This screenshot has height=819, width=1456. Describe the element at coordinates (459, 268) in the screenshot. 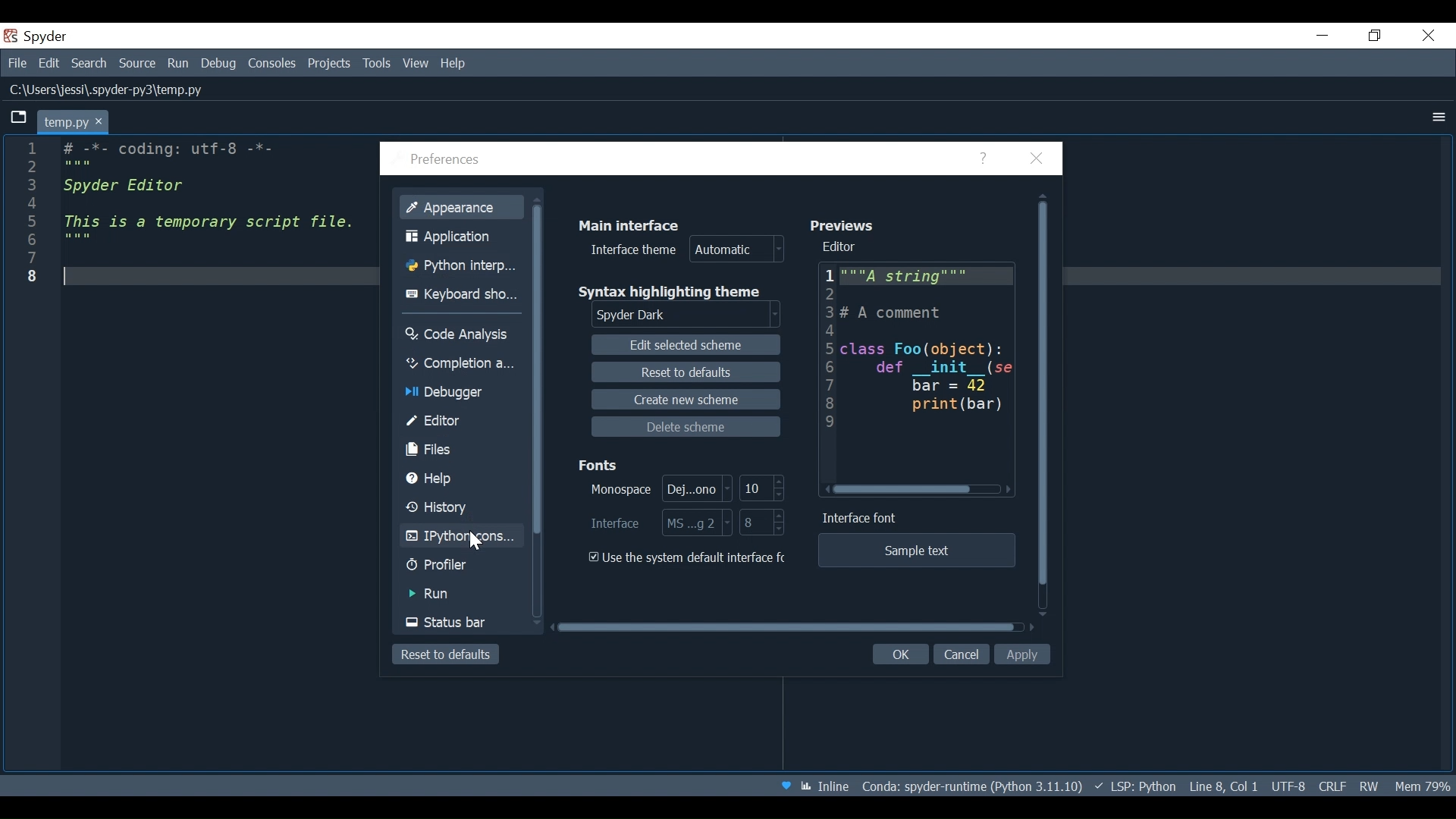

I see `Python Interpreter` at that location.